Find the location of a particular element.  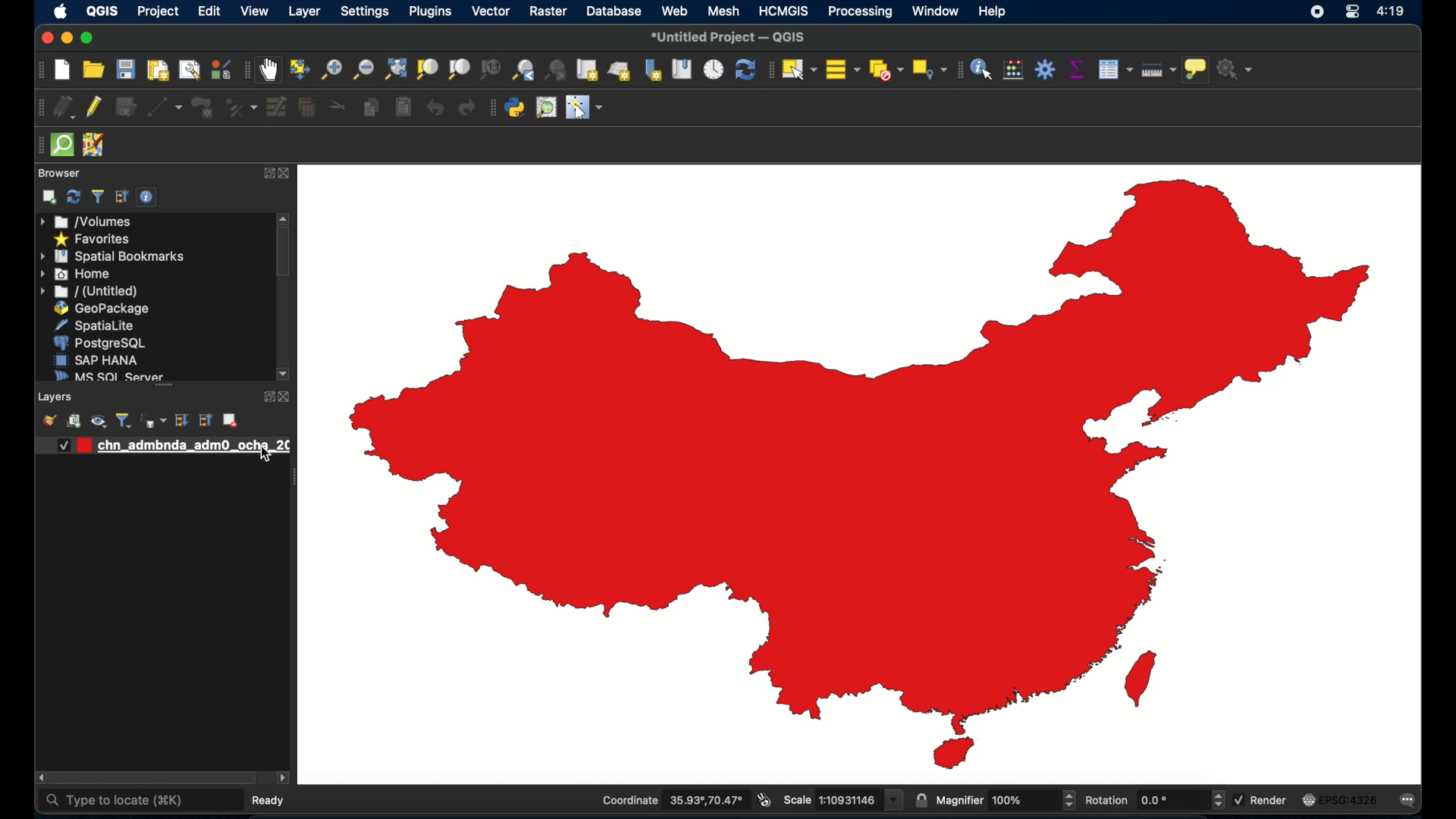

database is located at coordinates (616, 11).